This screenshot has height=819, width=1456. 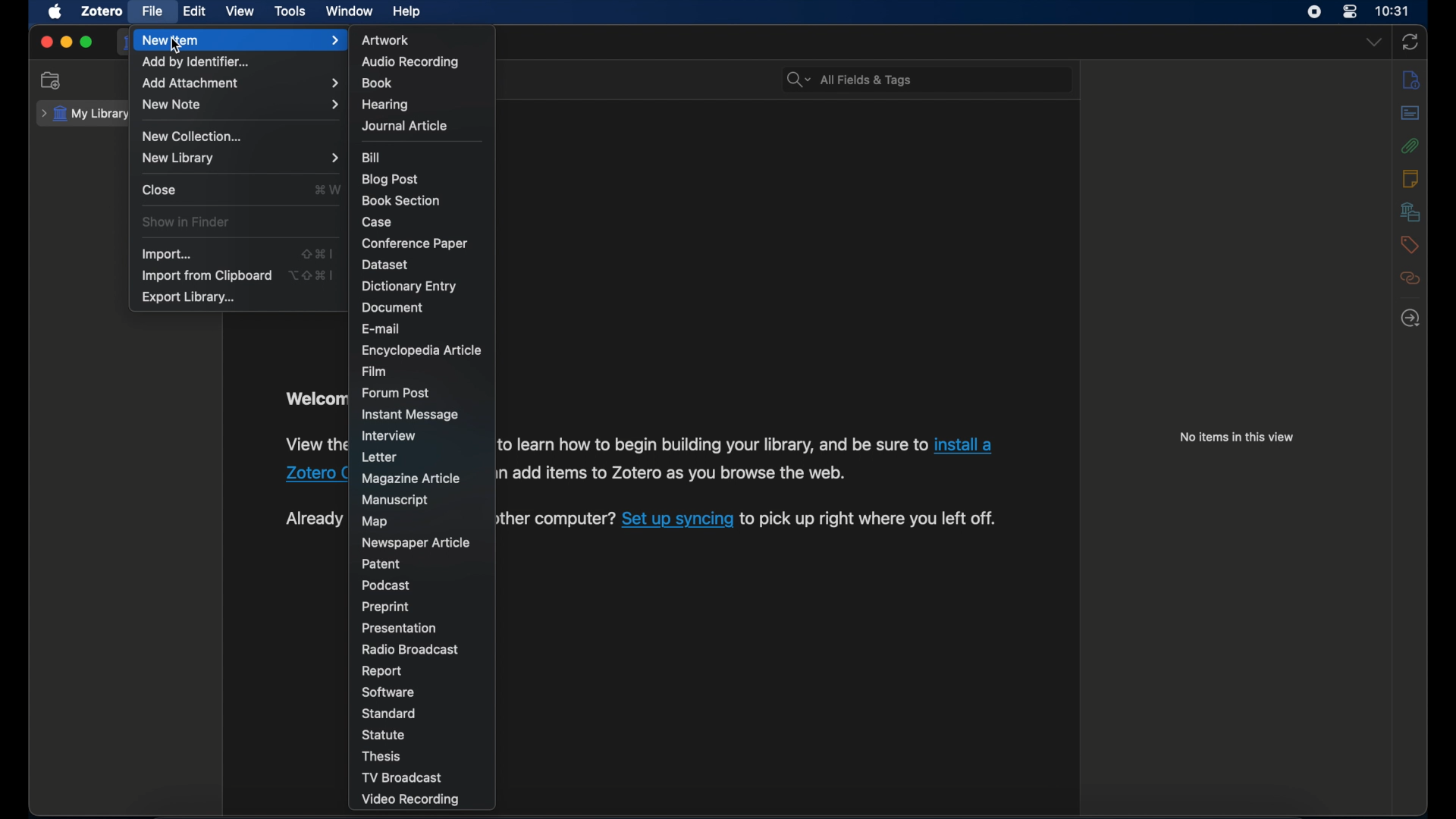 I want to click on , so click(x=677, y=519).